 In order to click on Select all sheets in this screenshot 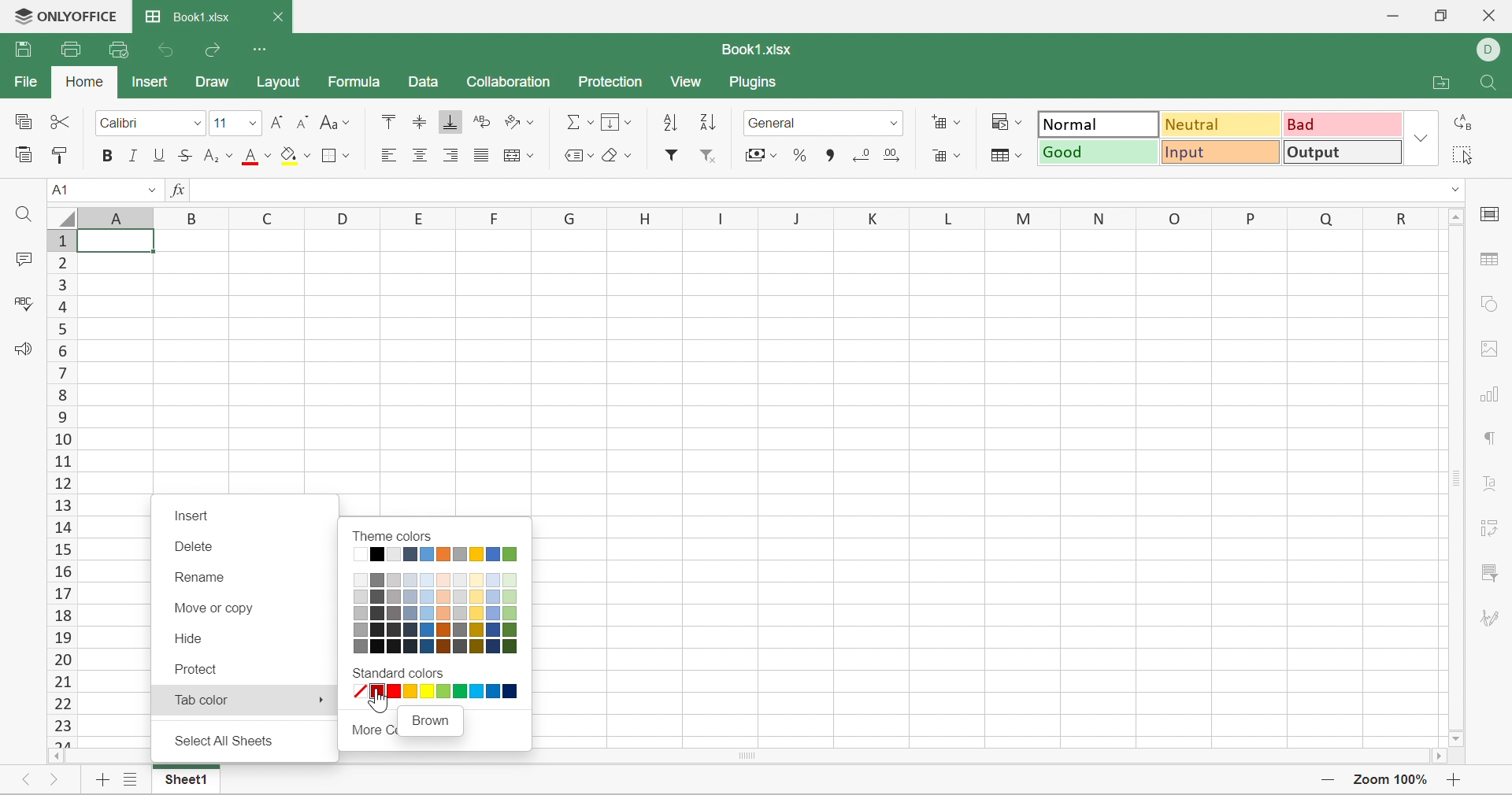, I will do `click(228, 741)`.